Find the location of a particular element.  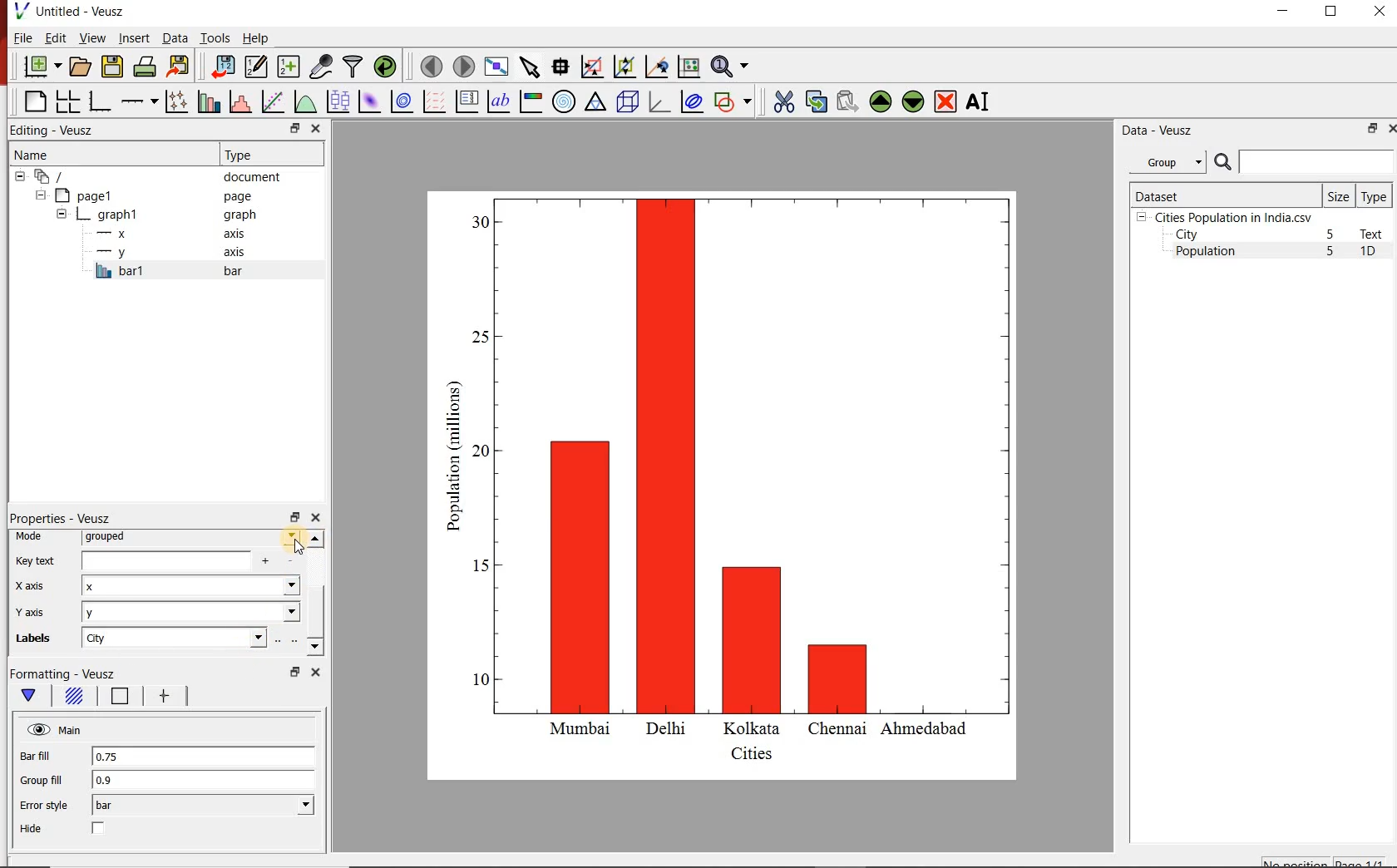

fit a function to data is located at coordinates (272, 101).